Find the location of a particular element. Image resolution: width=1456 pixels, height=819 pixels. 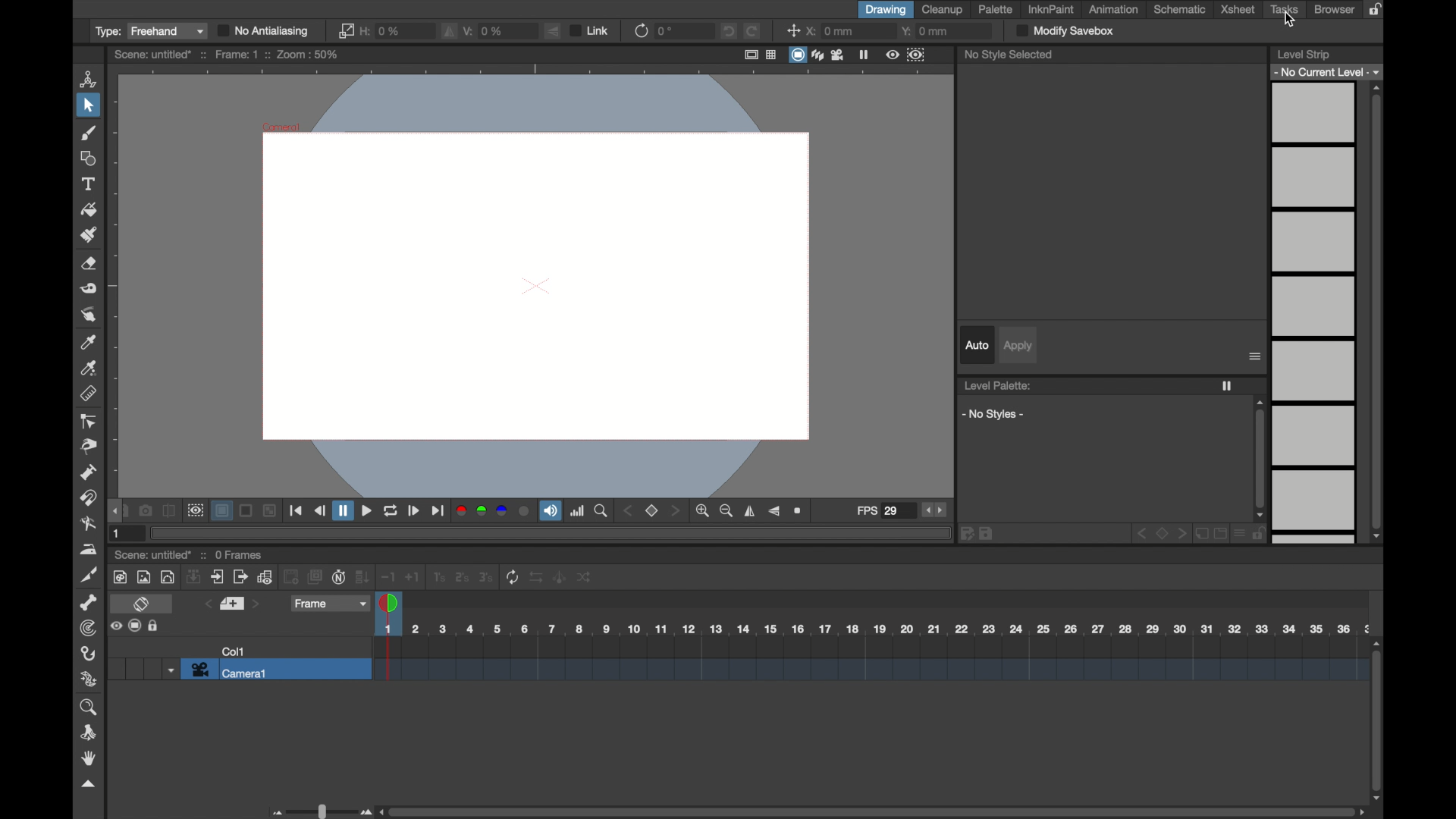

previous frame is located at coordinates (319, 510).